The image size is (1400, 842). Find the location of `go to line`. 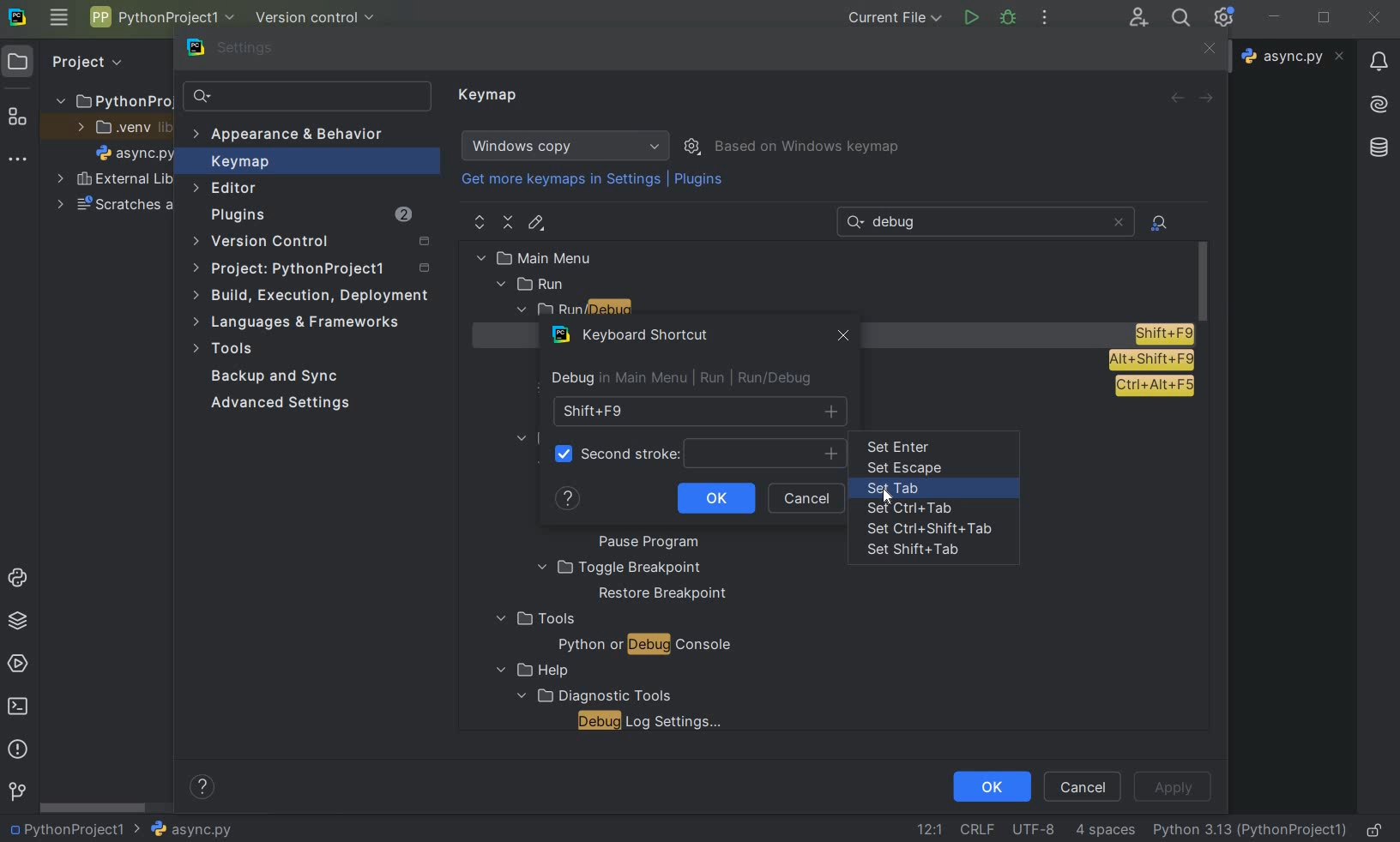

go to line is located at coordinates (929, 829).